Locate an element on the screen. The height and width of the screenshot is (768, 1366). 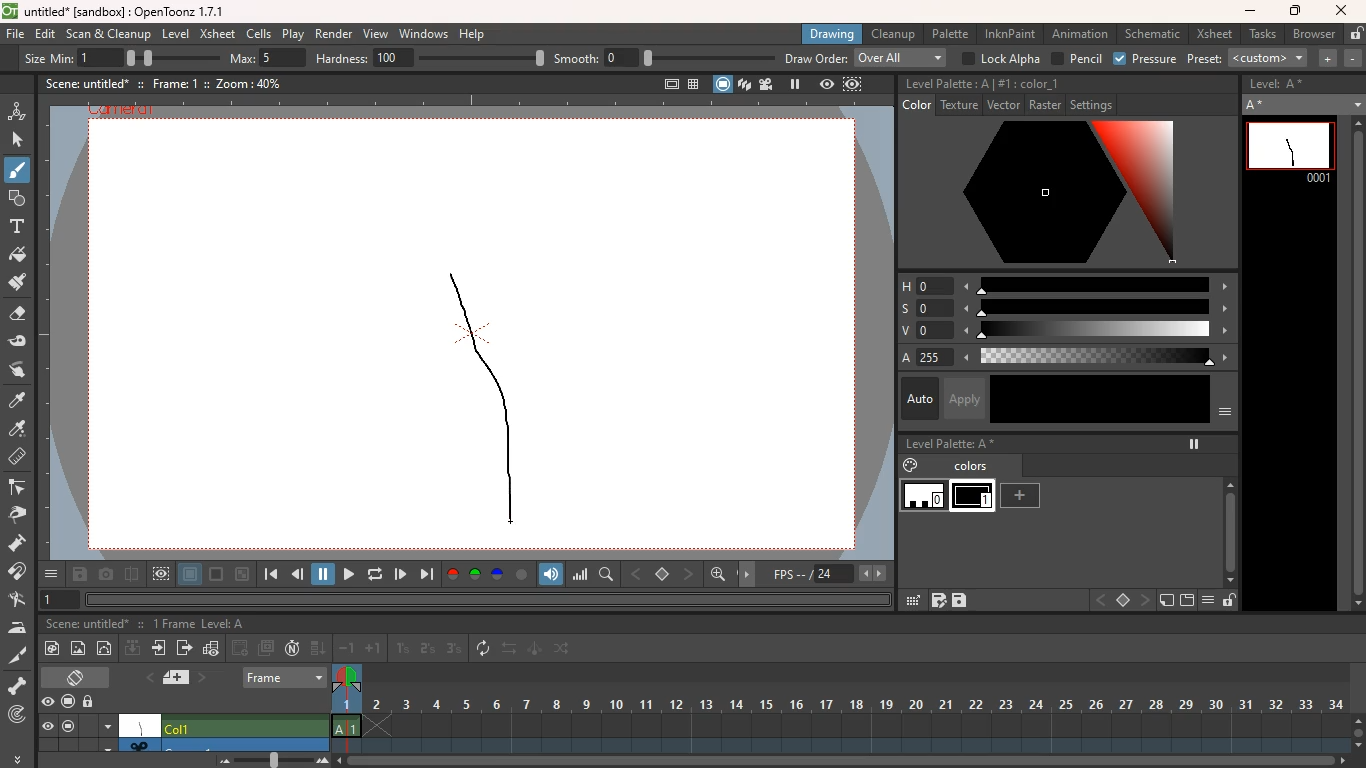
vector is located at coordinates (1001, 106).